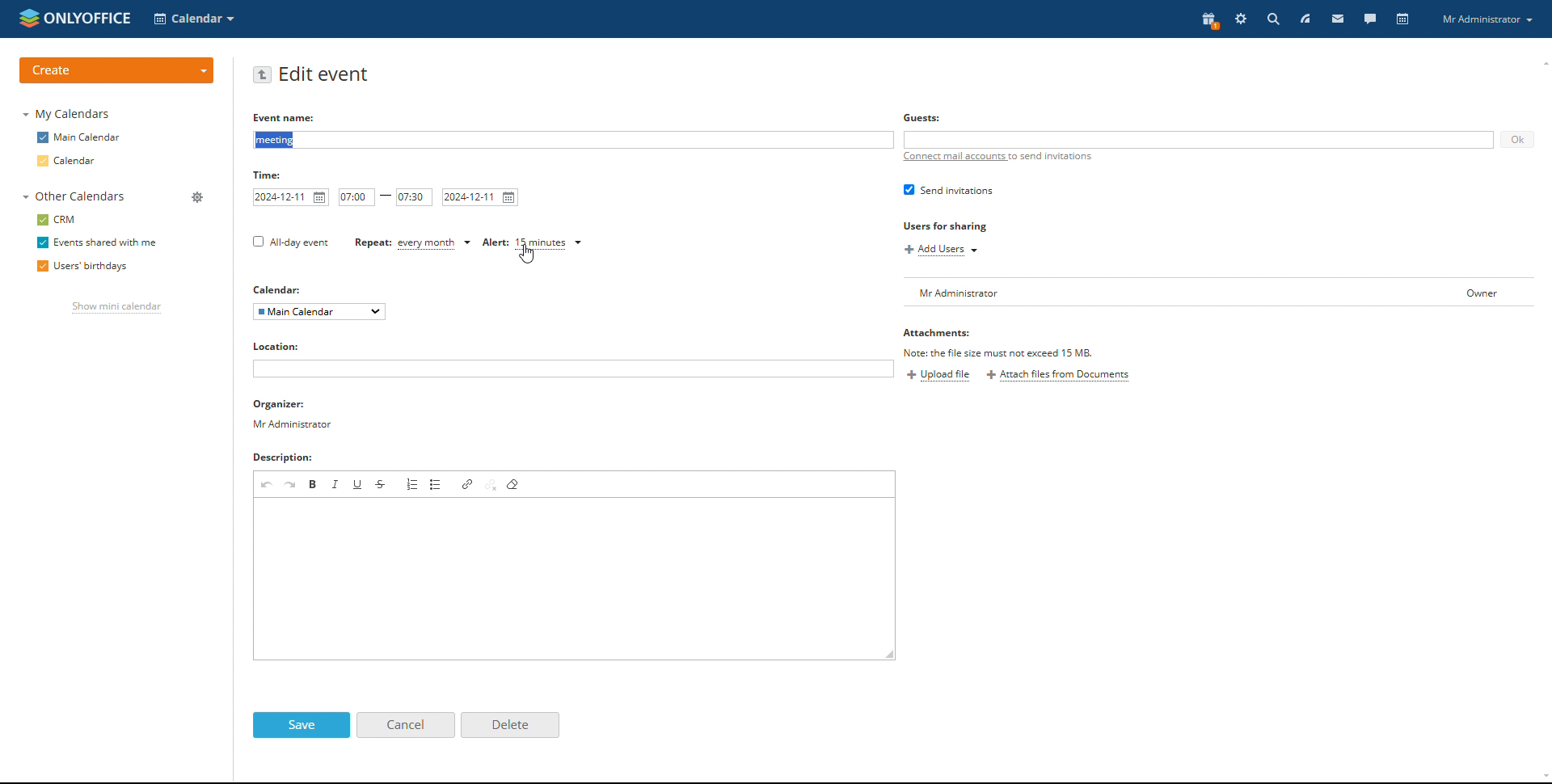 This screenshot has height=784, width=1552. Describe the element at coordinates (1159, 293) in the screenshot. I see `user list` at that location.